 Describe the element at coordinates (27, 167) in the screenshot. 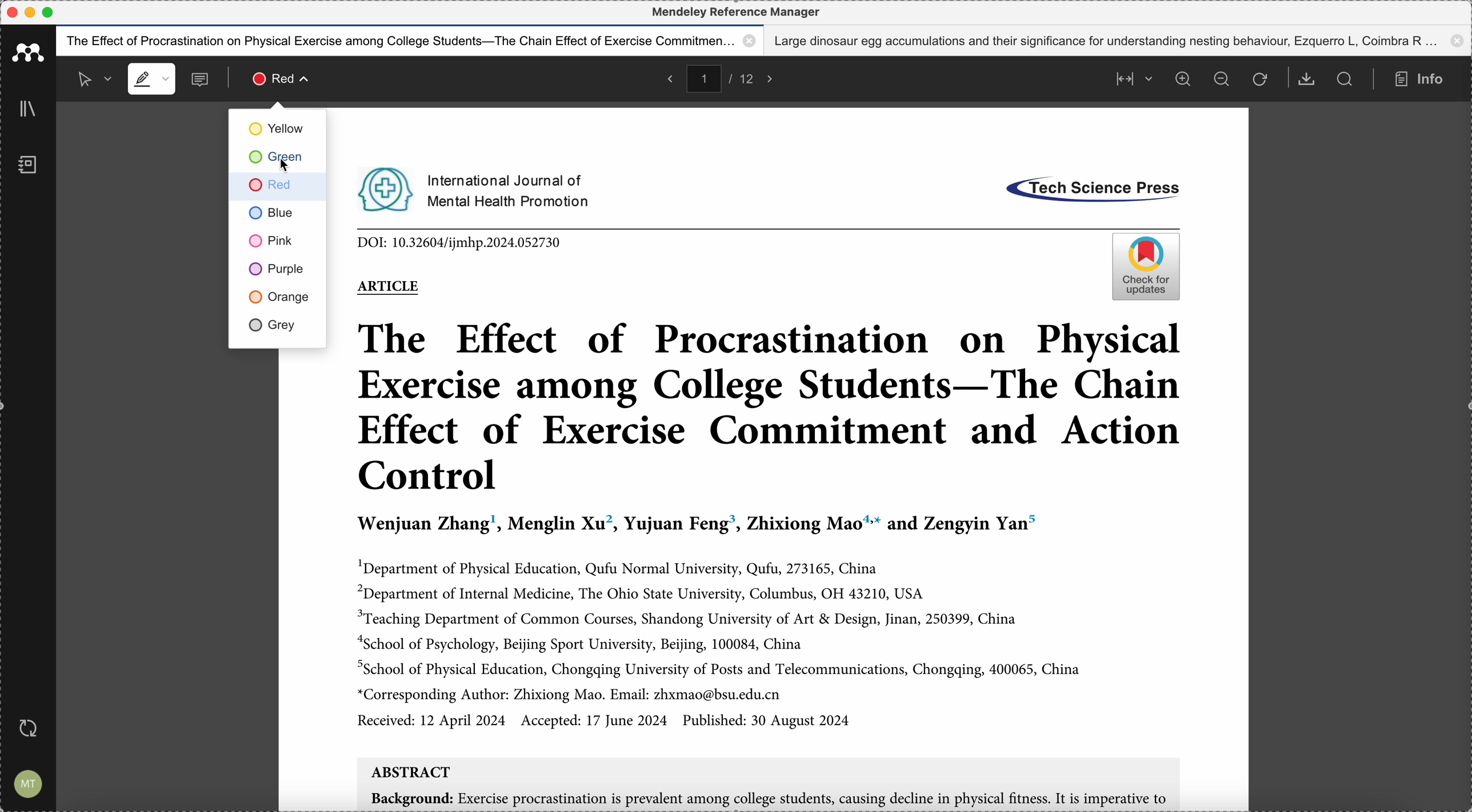

I see `notebook` at that location.